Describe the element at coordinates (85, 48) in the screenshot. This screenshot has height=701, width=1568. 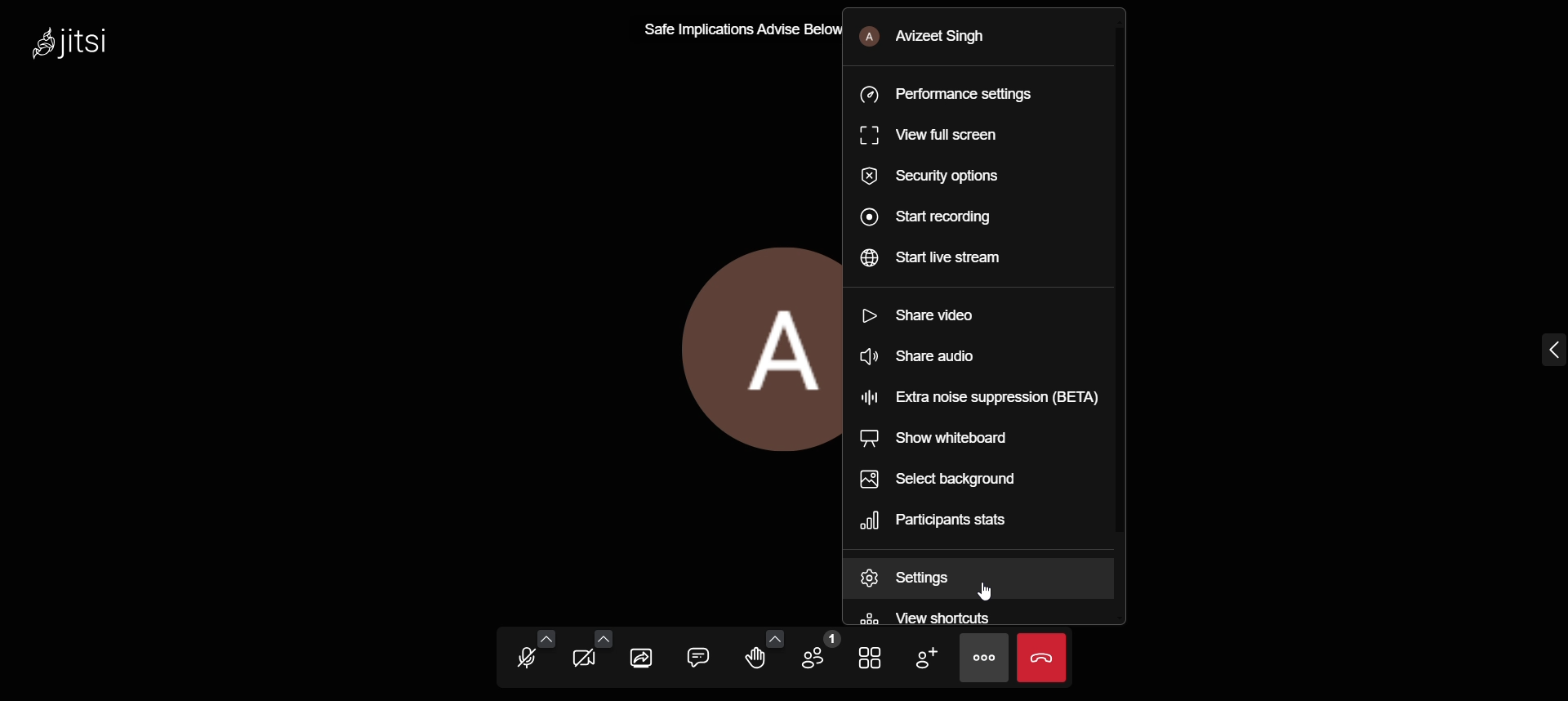
I see `jitsi` at that location.